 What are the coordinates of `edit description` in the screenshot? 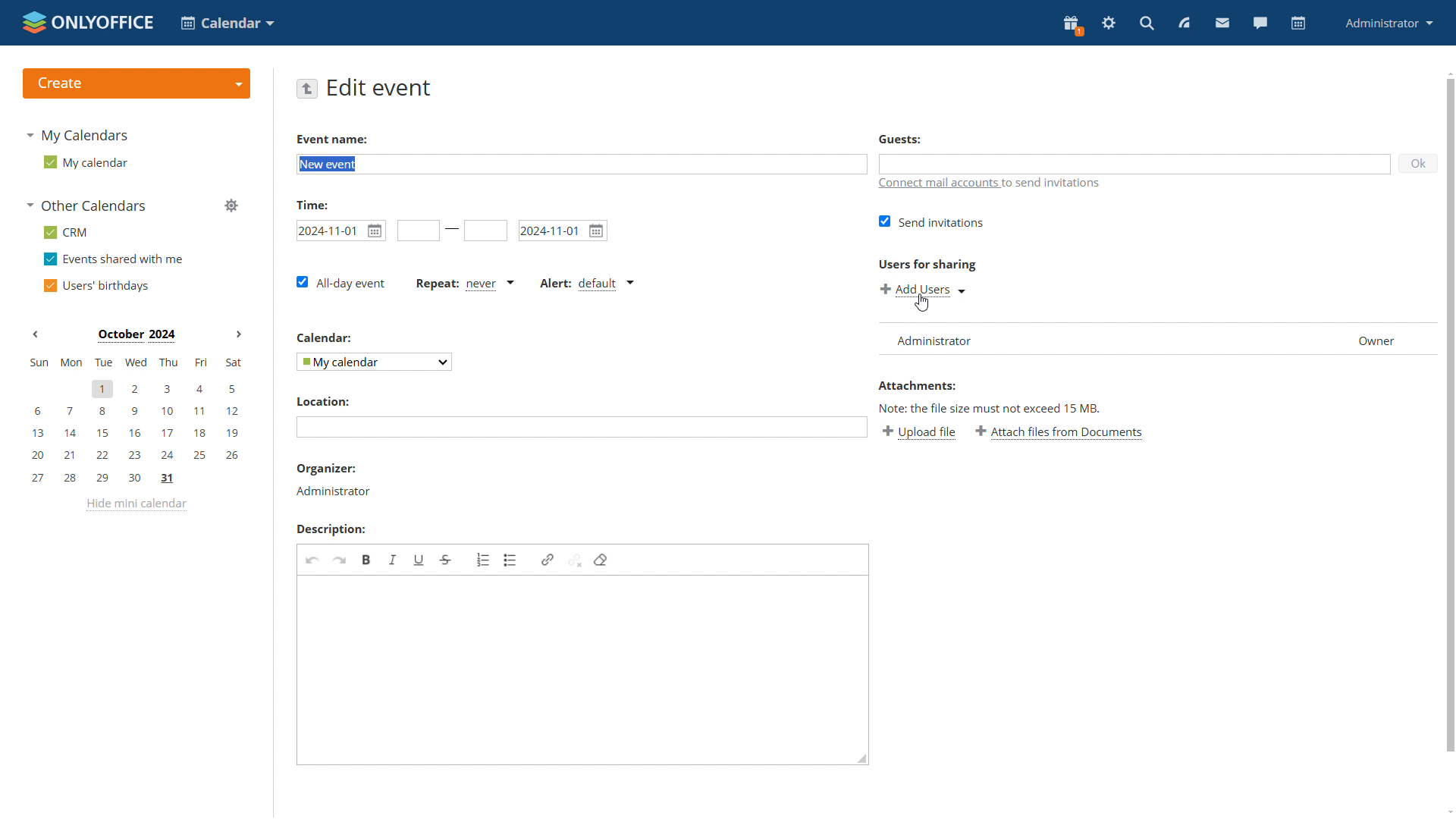 It's located at (582, 670).